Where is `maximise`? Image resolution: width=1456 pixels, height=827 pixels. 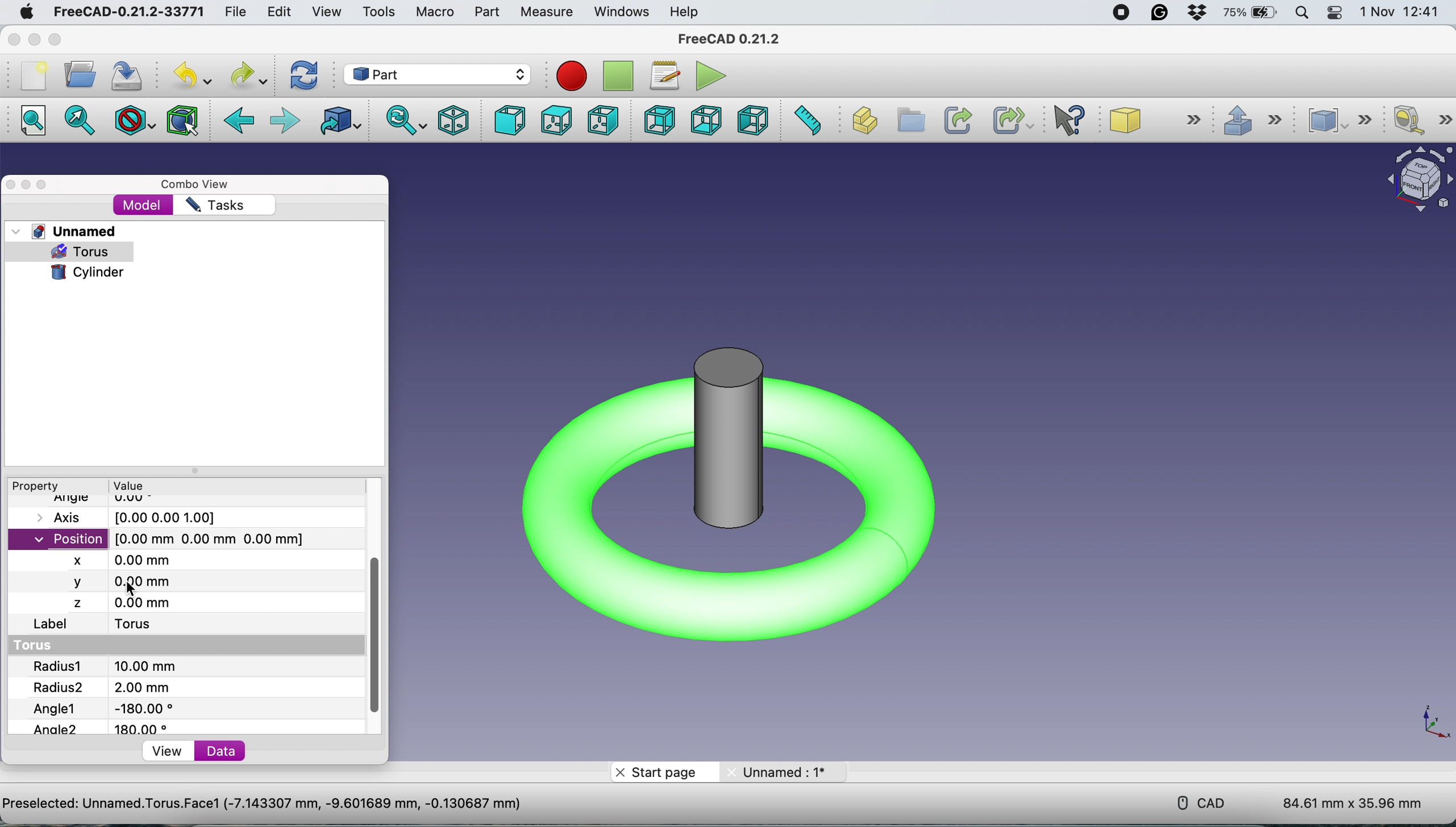
maximise is located at coordinates (44, 185).